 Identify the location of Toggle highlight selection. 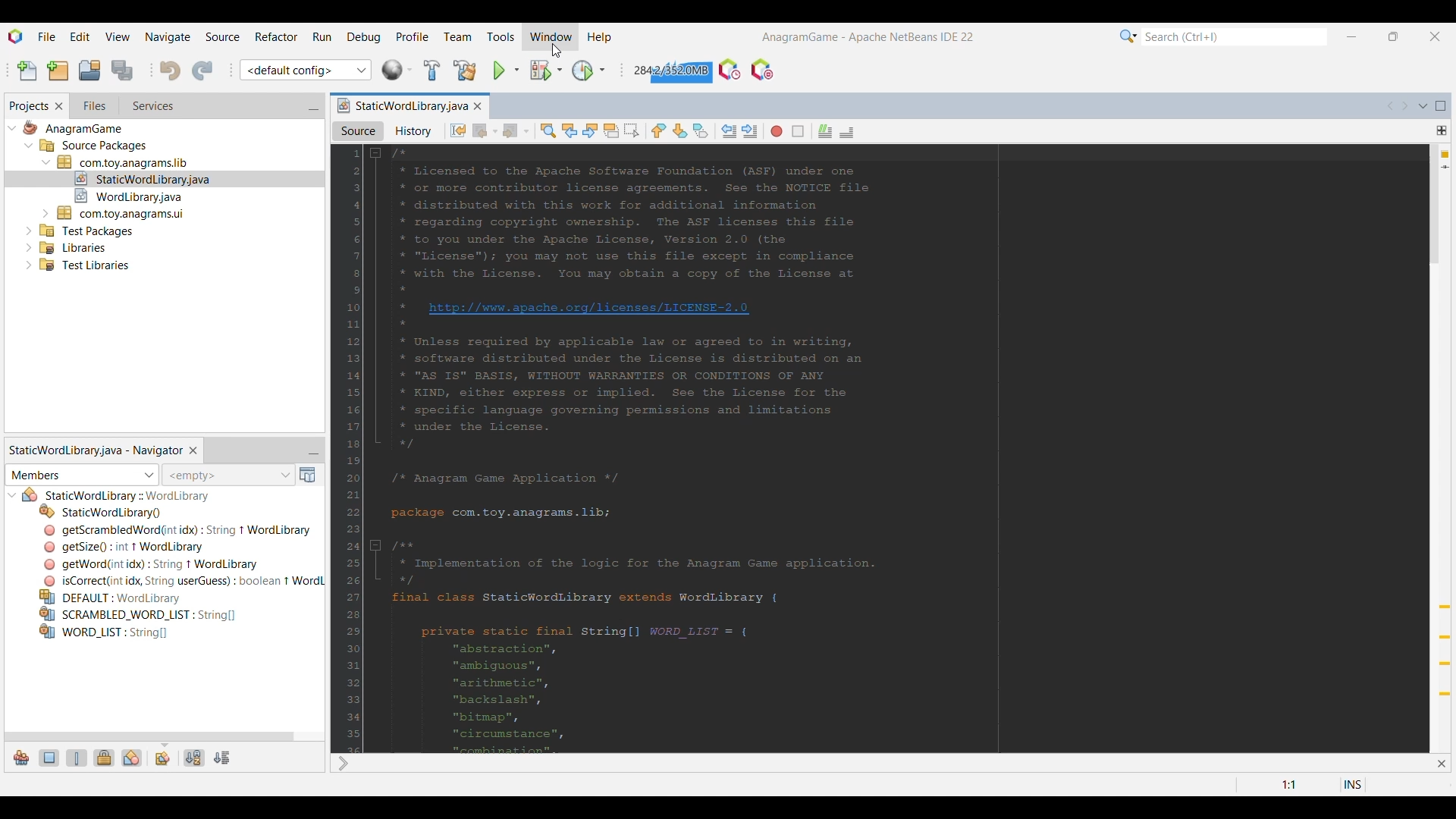
(612, 131).